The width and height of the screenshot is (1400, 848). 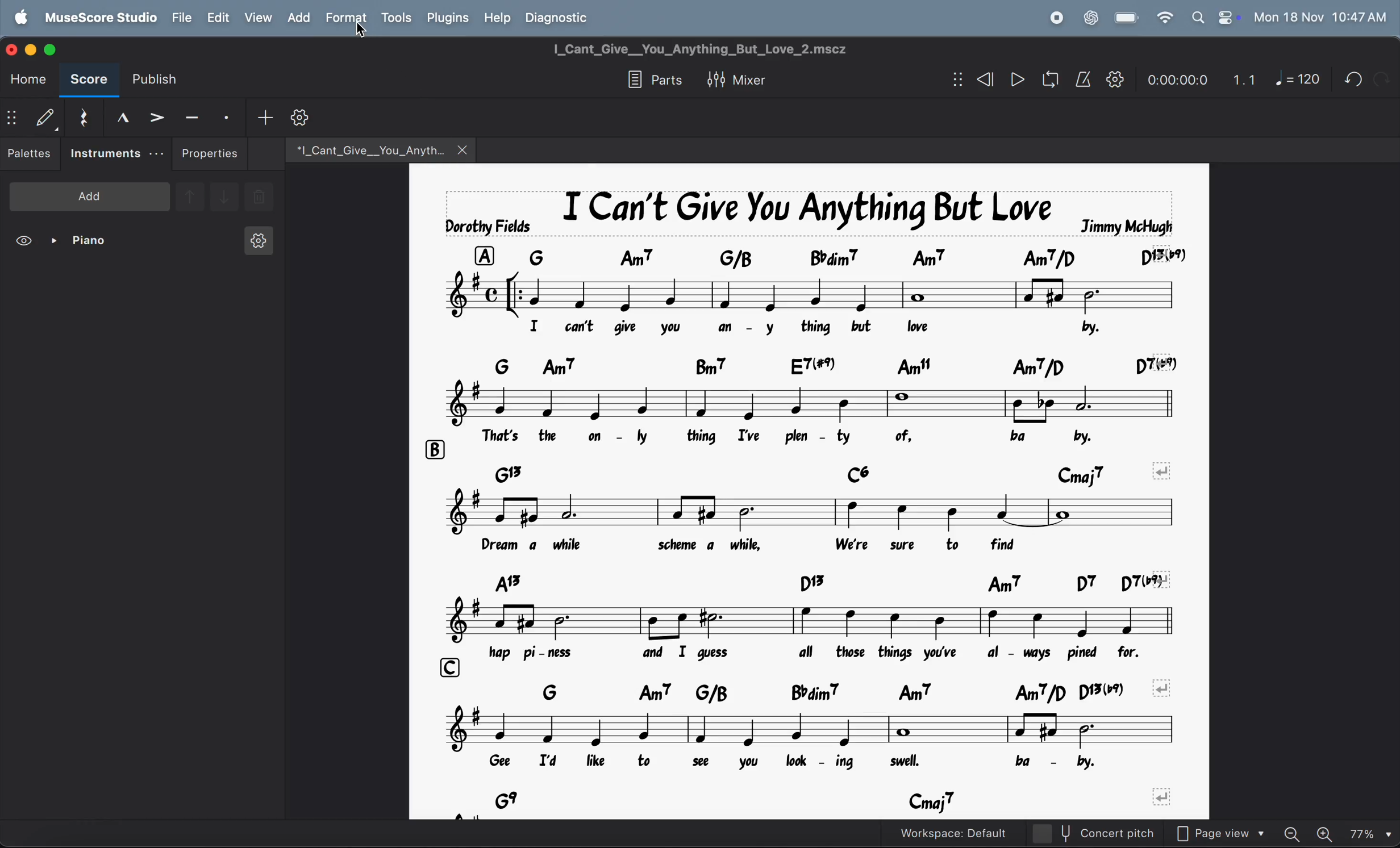 I want to click on score , so click(x=89, y=81).